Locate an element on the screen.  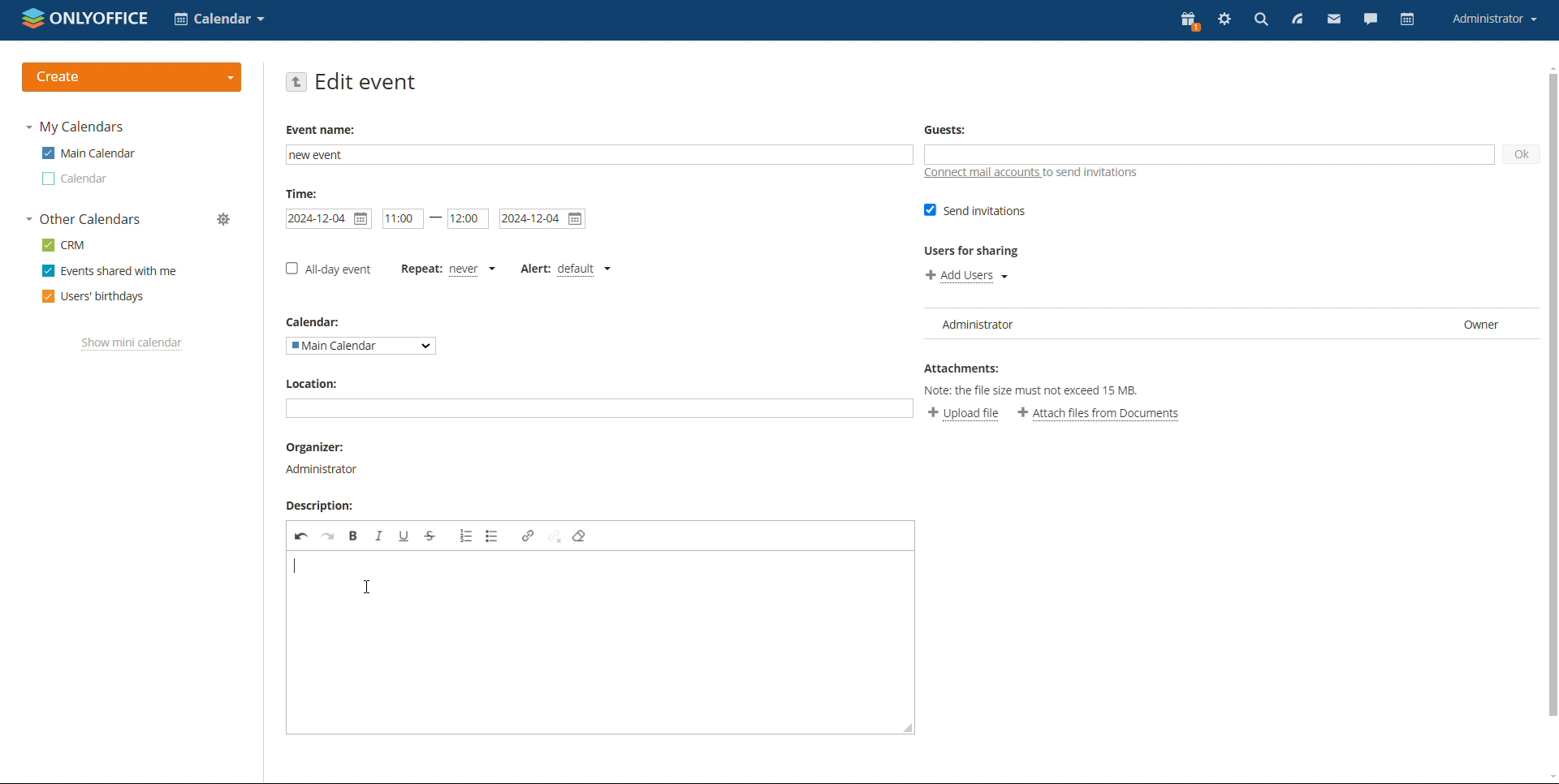
edit event is located at coordinates (366, 83).